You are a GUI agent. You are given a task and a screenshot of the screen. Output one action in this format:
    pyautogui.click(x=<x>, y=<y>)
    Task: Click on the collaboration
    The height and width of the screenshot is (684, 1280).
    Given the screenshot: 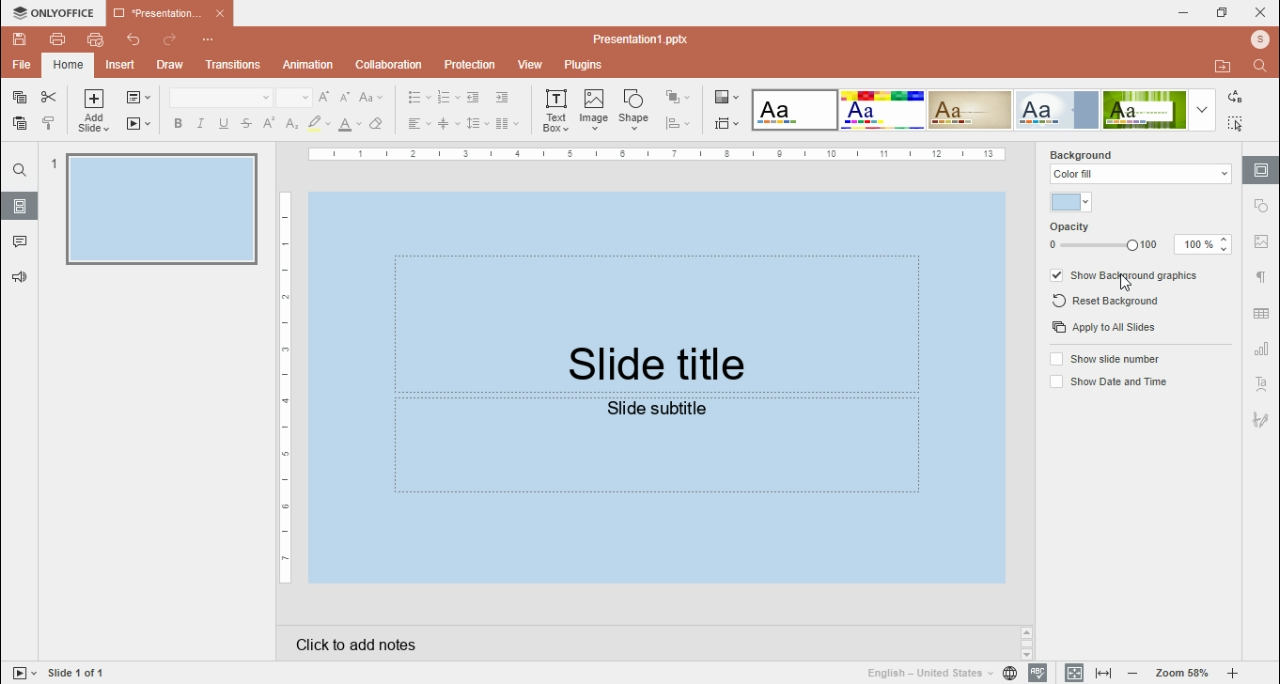 What is the action you would take?
    pyautogui.click(x=389, y=64)
    